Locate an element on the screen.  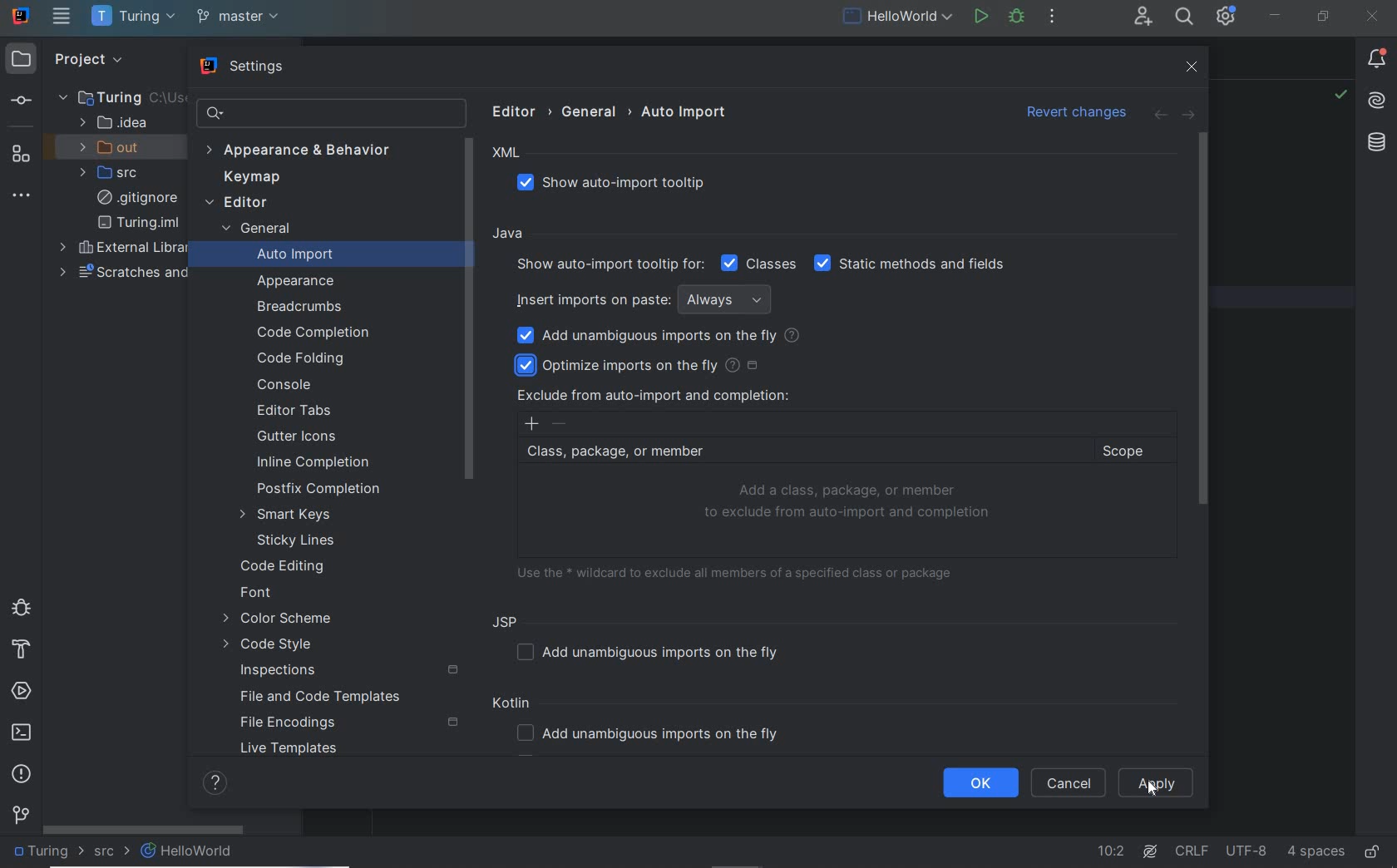
src is located at coordinates (115, 173).